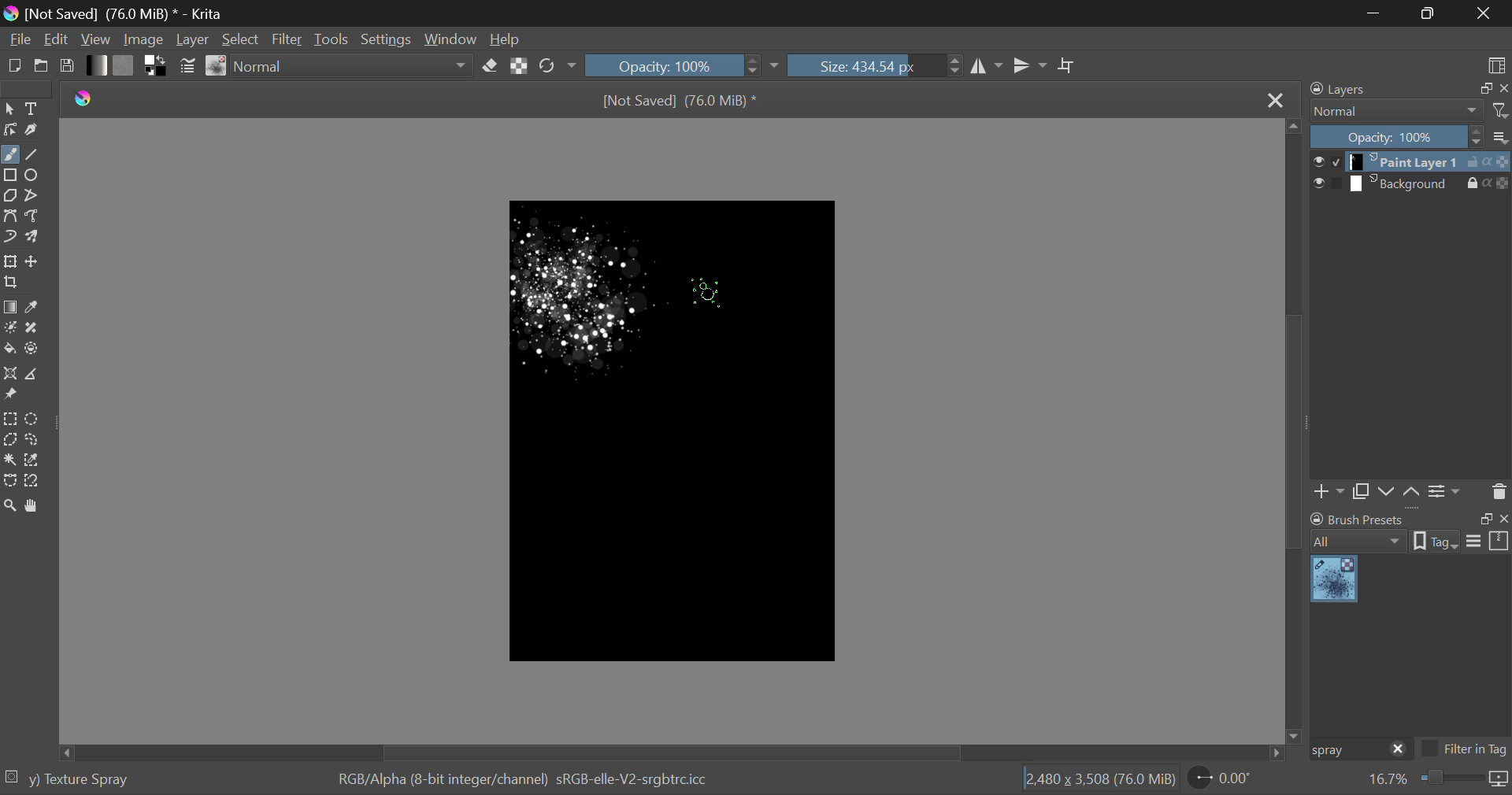  What do you see at coordinates (35, 107) in the screenshot?
I see `Text` at bounding box center [35, 107].